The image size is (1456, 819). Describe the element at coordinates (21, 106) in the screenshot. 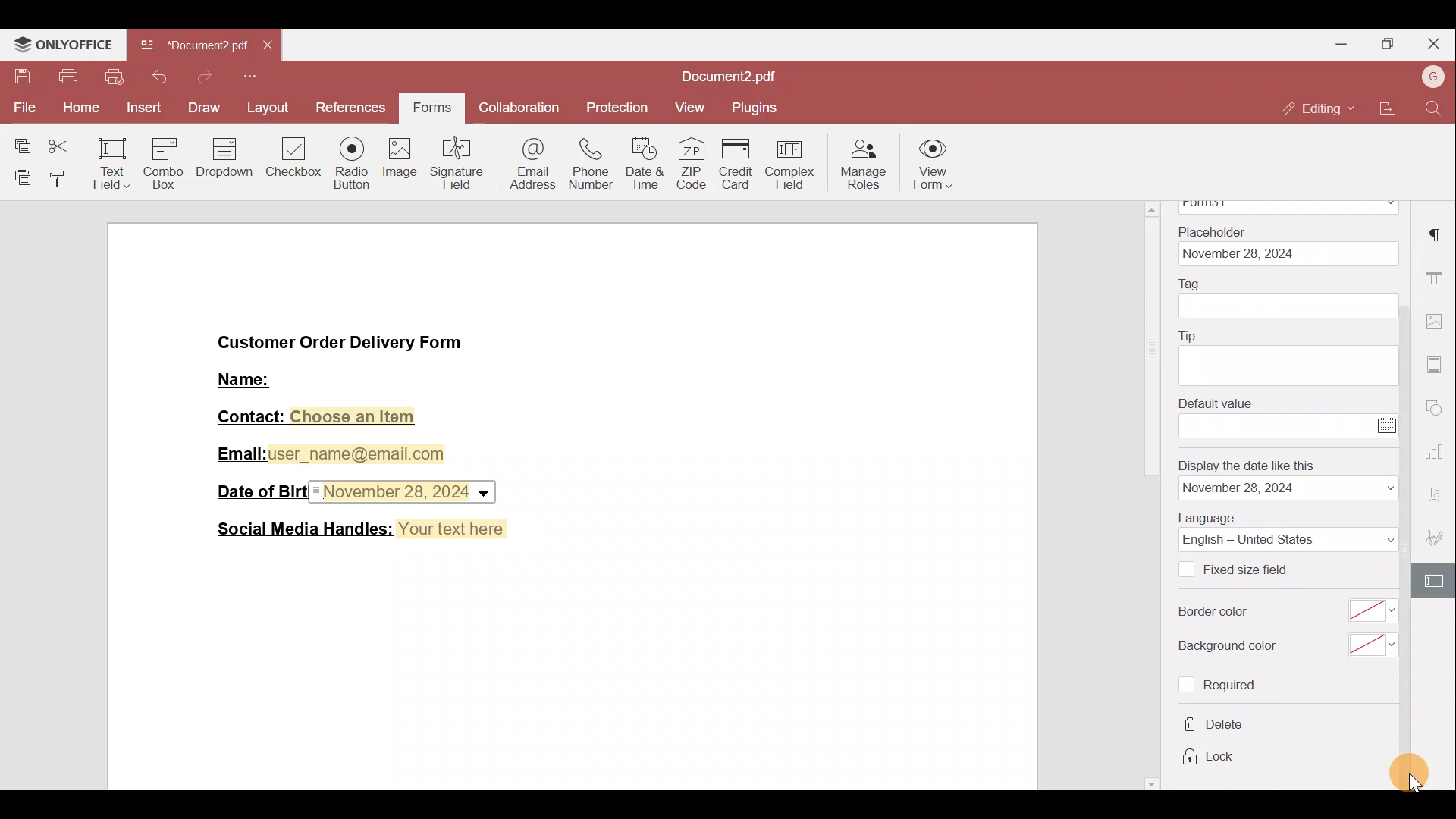

I see `File` at that location.